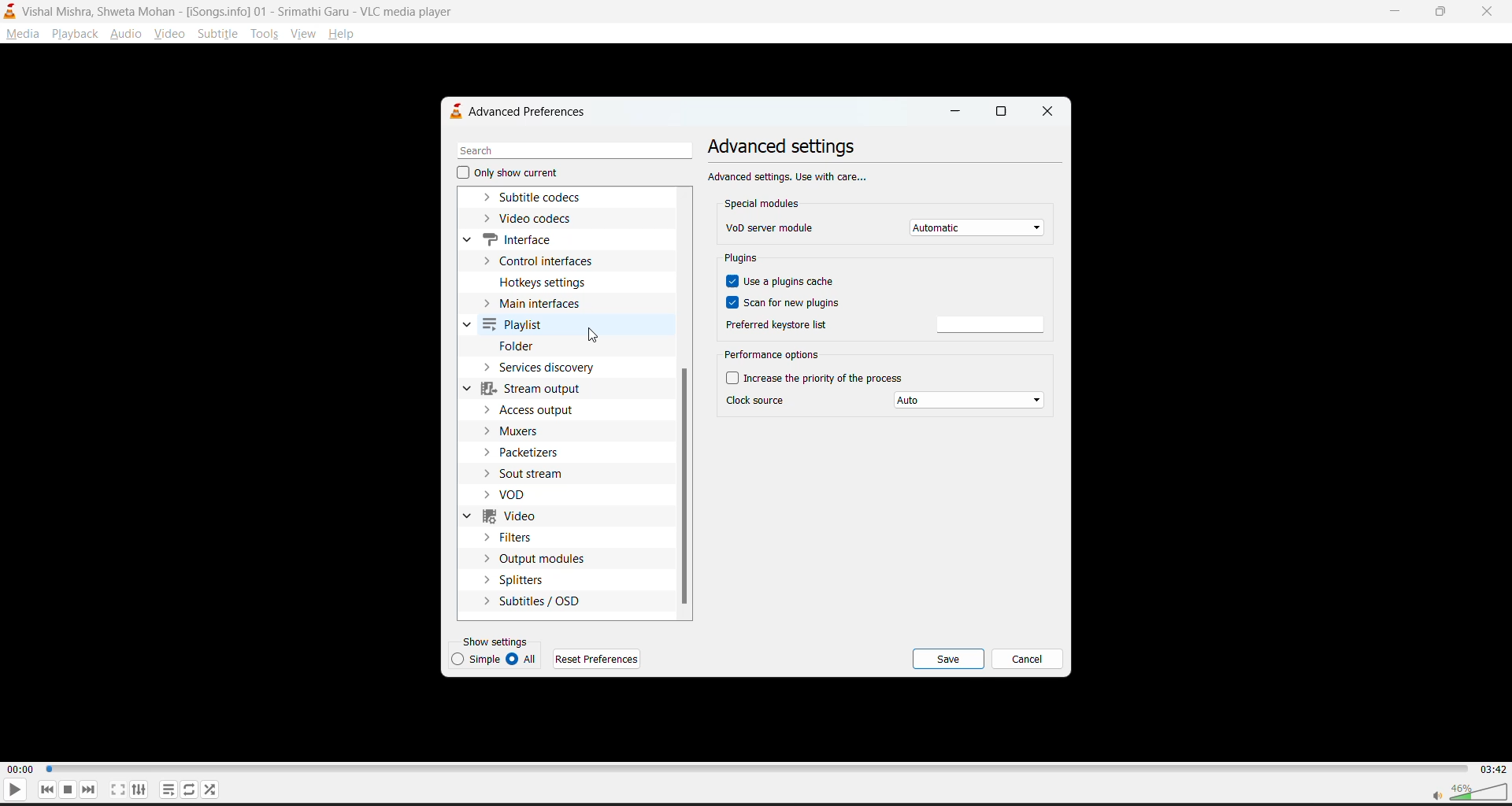  What do you see at coordinates (773, 355) in the screenshot?
I see `performance options` at bounding box center [773, 355].